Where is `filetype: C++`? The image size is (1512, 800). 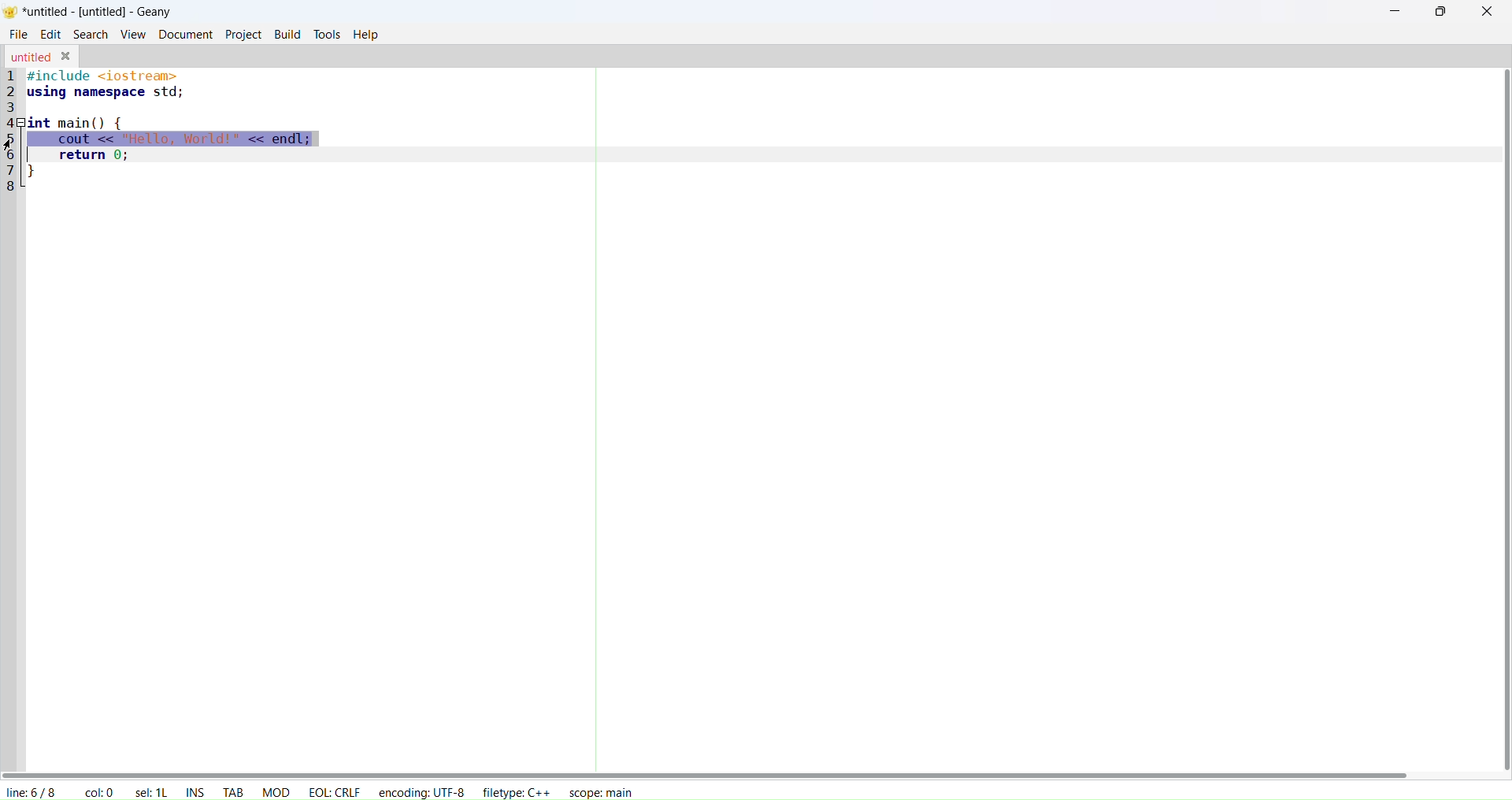
filetype: C++ is located at coordinates (517, 792).